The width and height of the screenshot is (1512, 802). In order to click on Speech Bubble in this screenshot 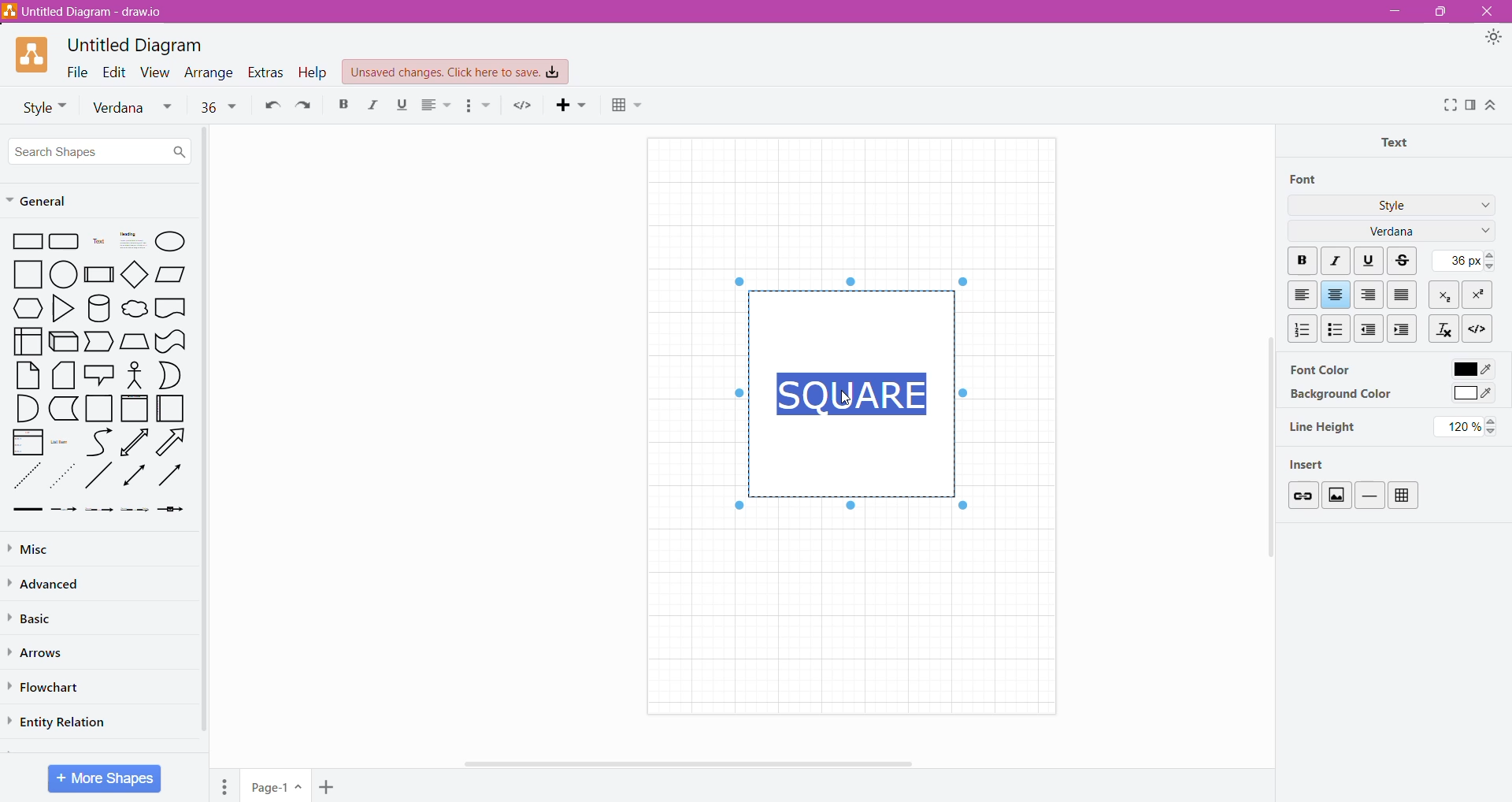, I will do `click(101, 373)`.